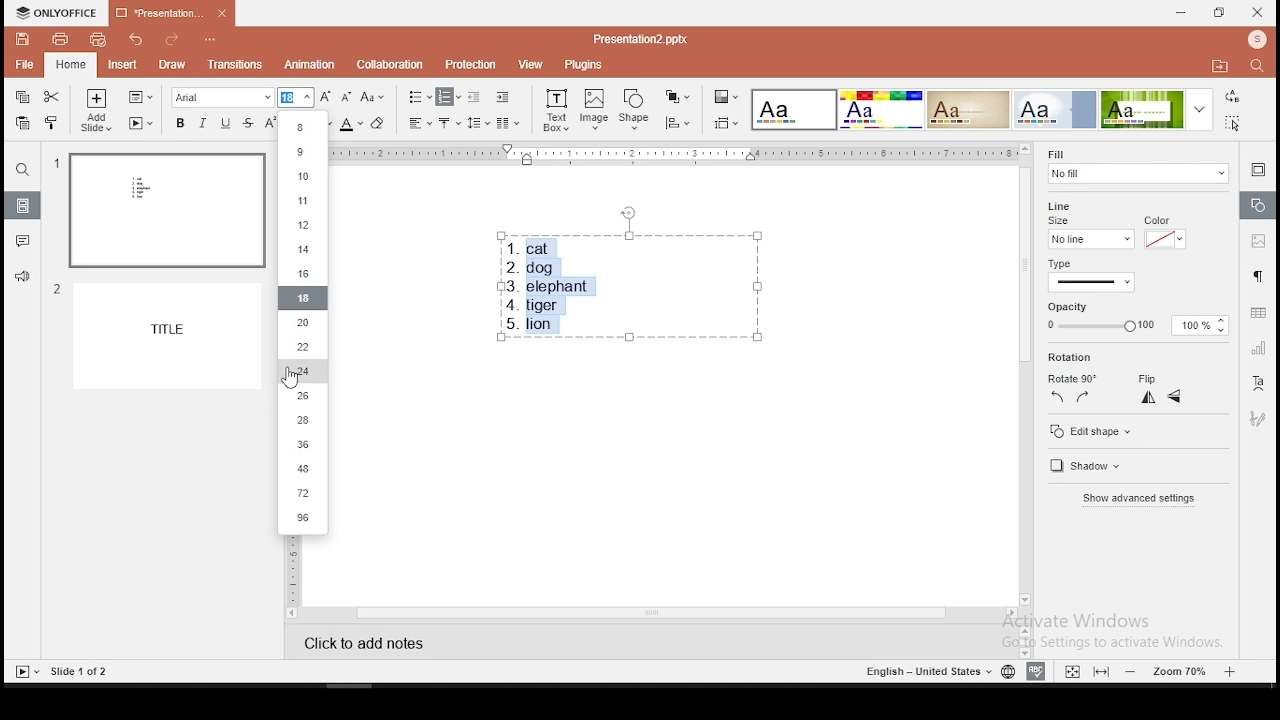 The image size is (1280, 720). Describe the element at coordinates (1084, 400) in the screenshot. I see `right` at that location.